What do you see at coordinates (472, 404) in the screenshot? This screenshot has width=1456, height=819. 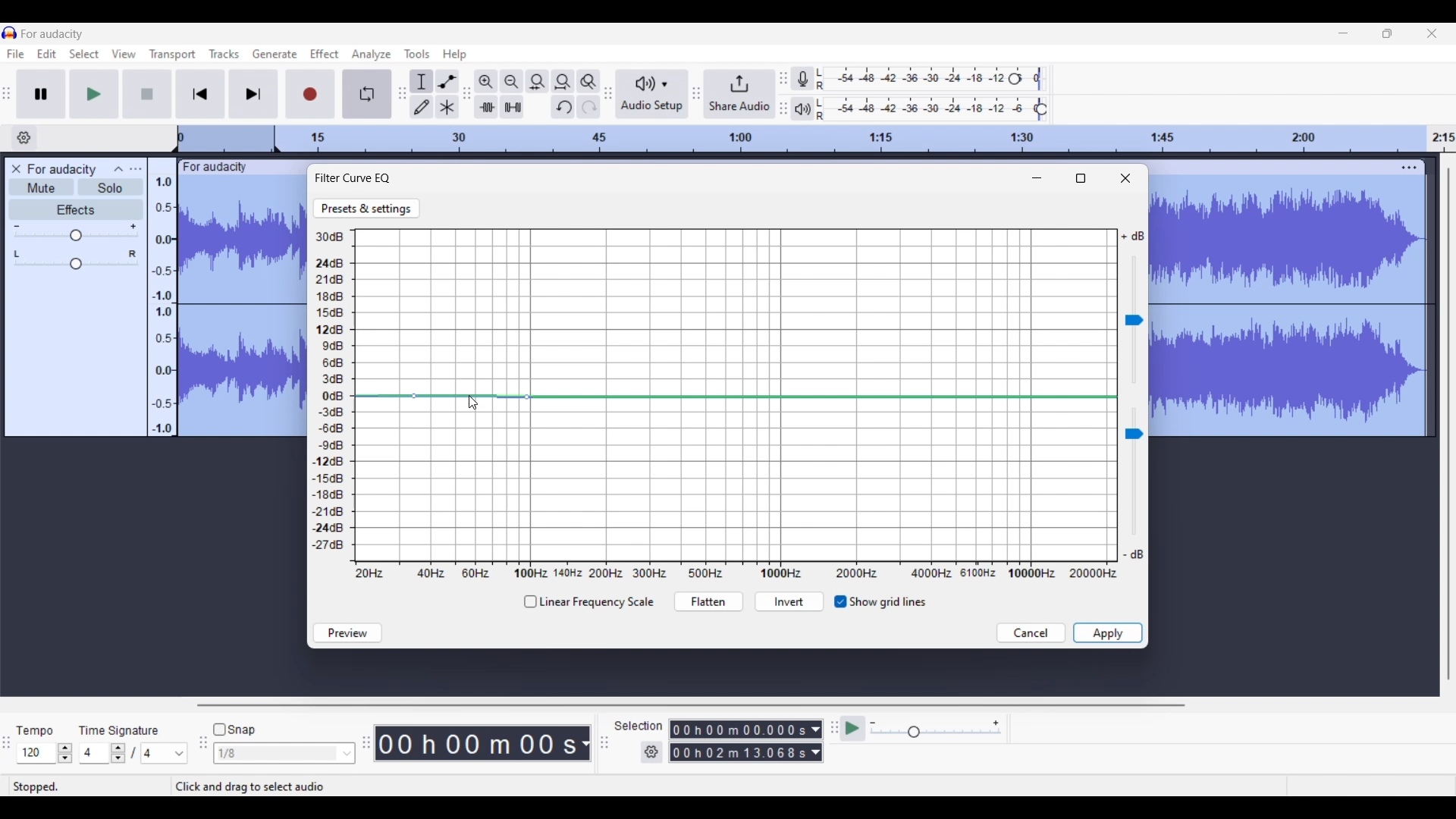 I see `Cursor clicking on curve` at bounding box center [472, 404].